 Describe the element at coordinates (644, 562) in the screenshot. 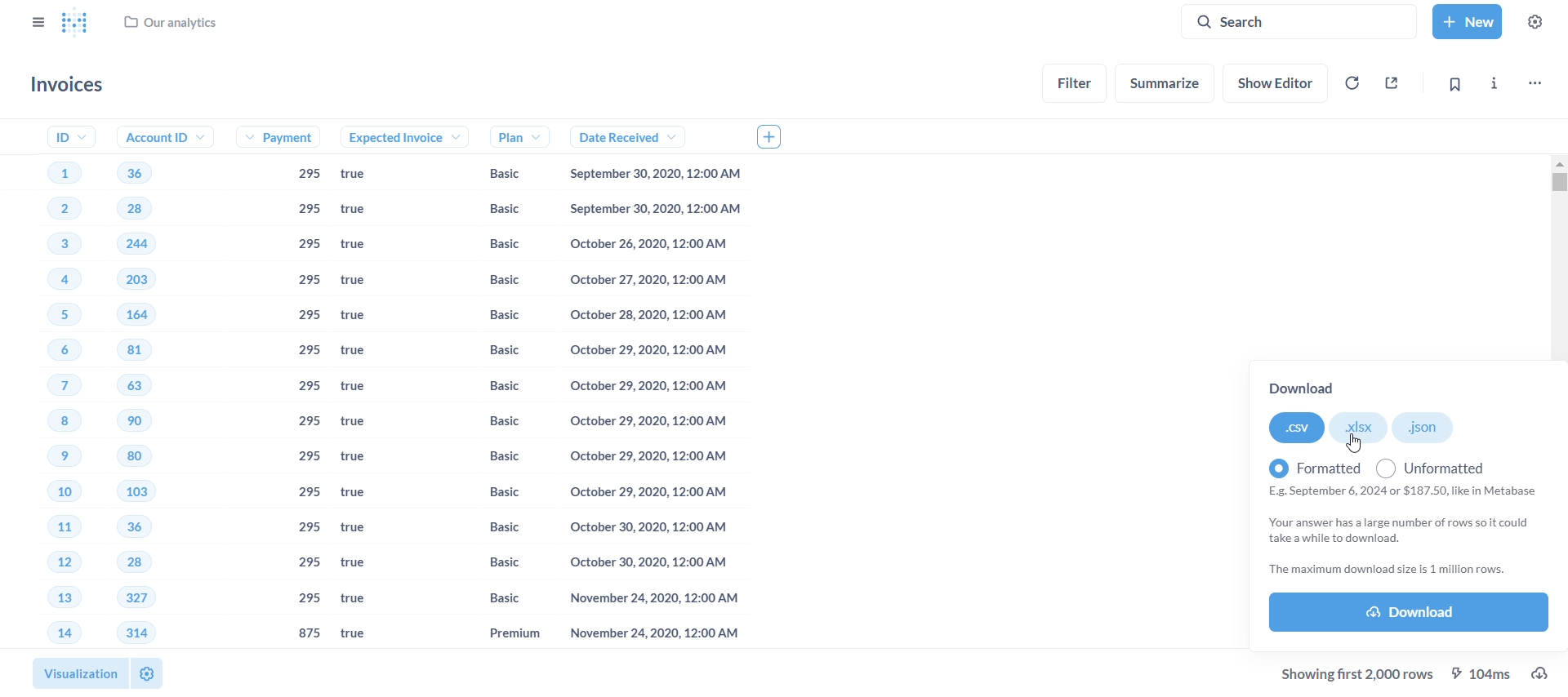

I see `October 30, 2020, 12:00 AM` at that location.